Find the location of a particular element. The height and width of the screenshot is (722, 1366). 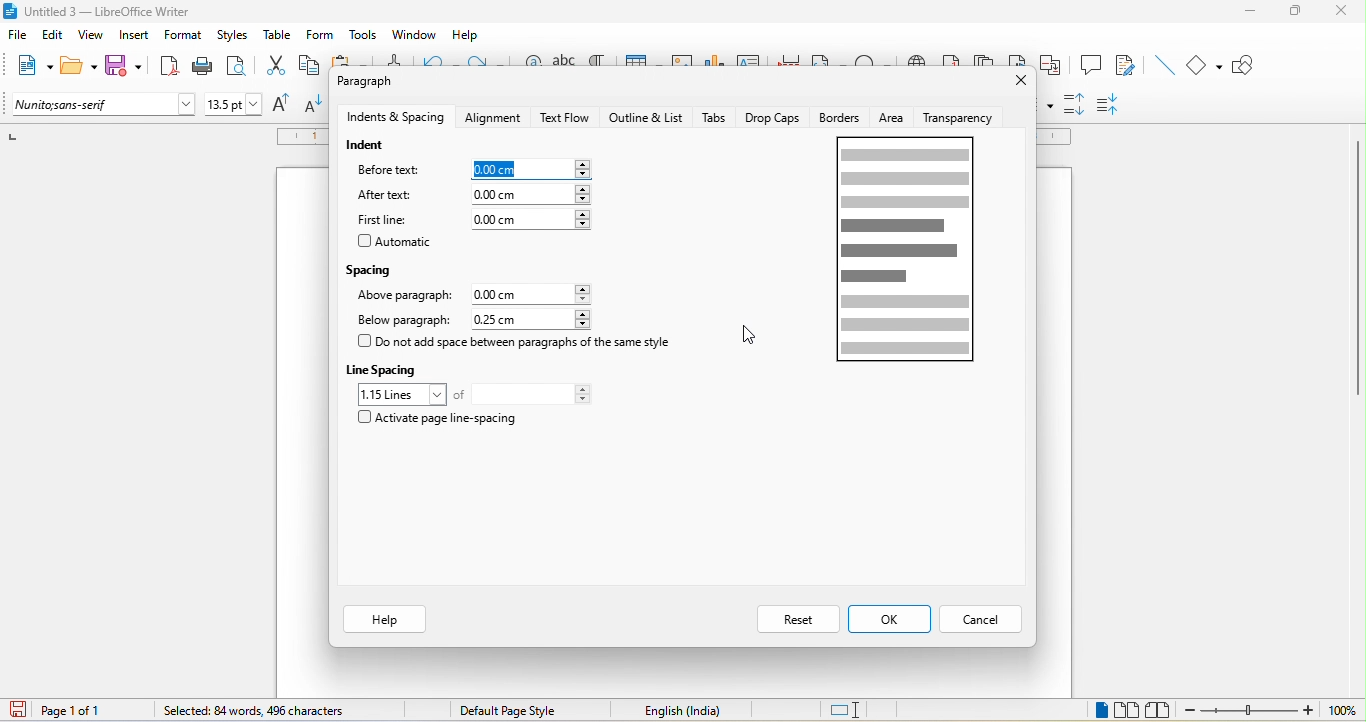

print is located at coordinates (203, 67).